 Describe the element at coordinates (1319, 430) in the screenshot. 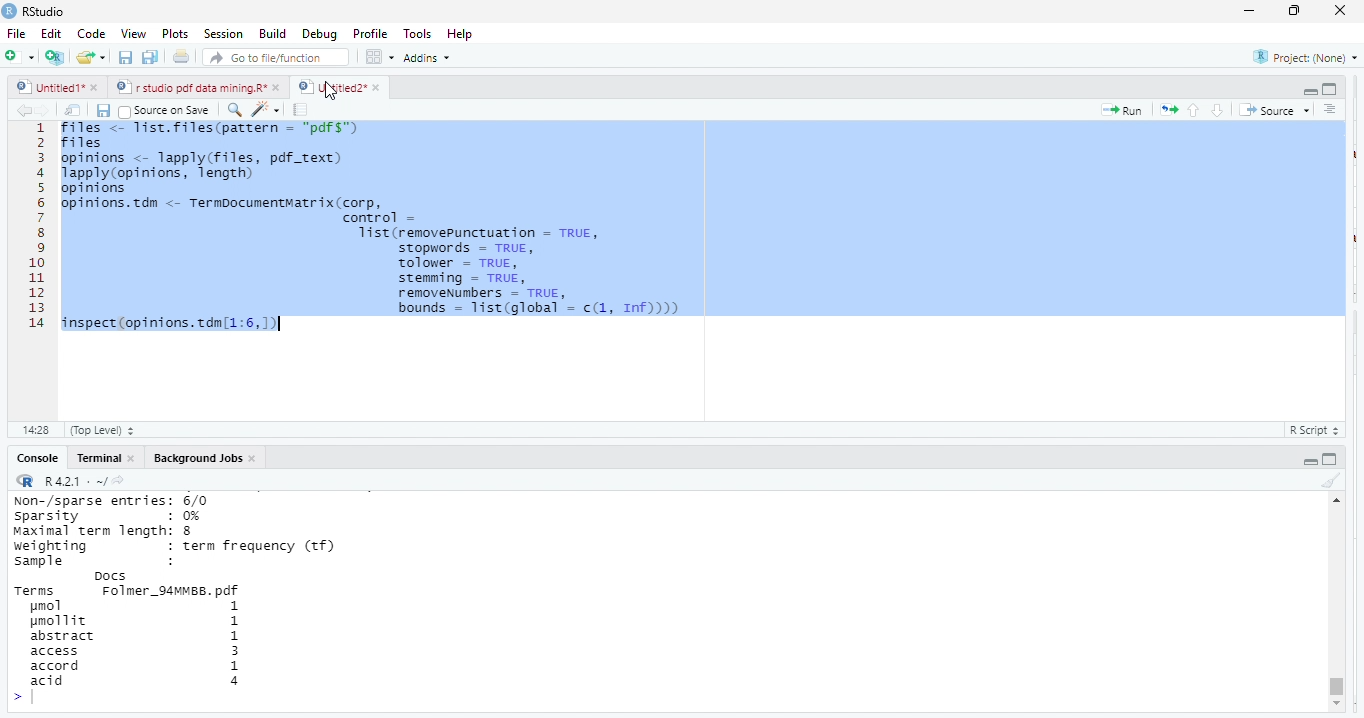

I see `r script` at that location.